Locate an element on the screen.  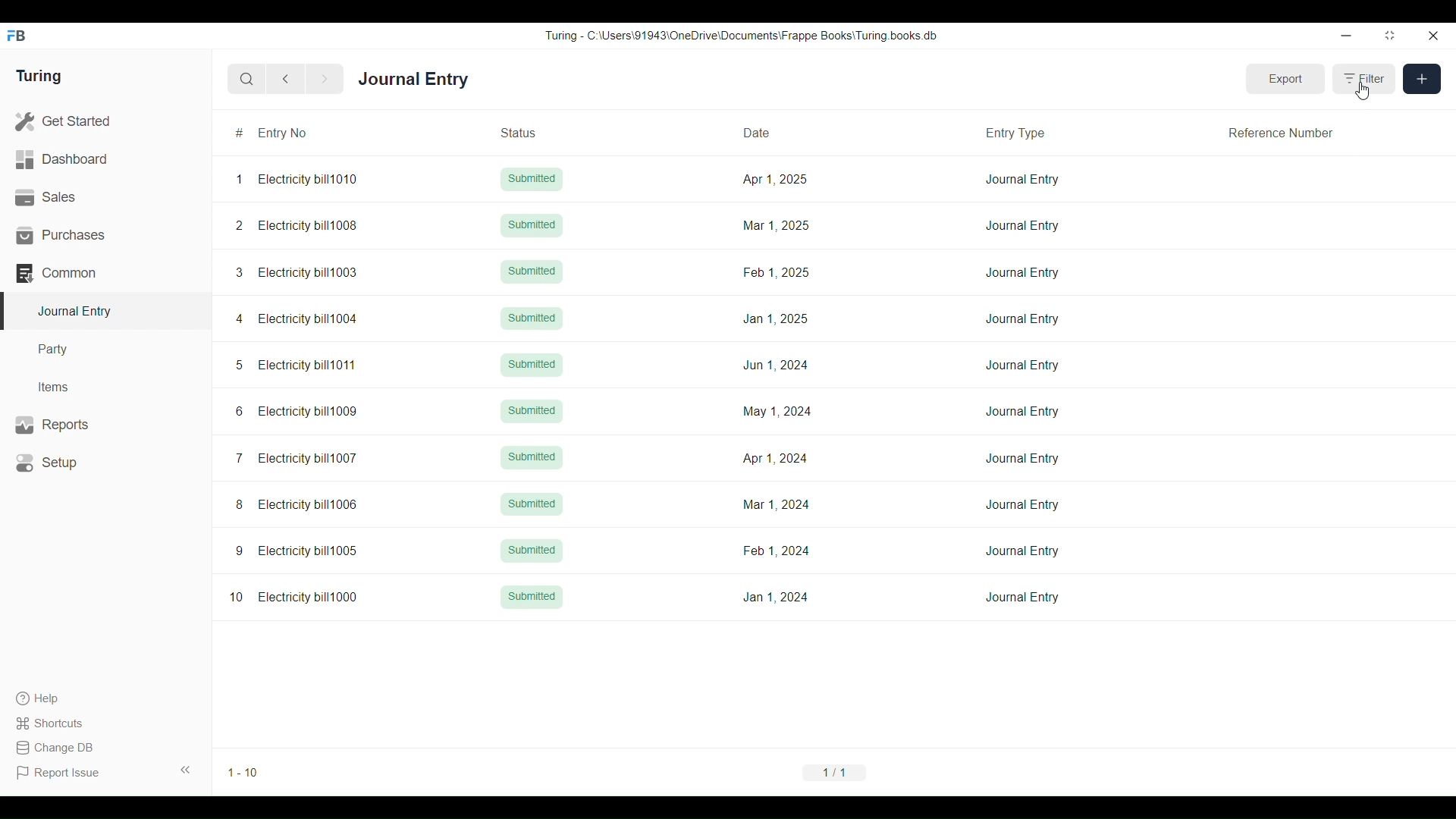
Journal Entry is located at coordinates (1022, 179).